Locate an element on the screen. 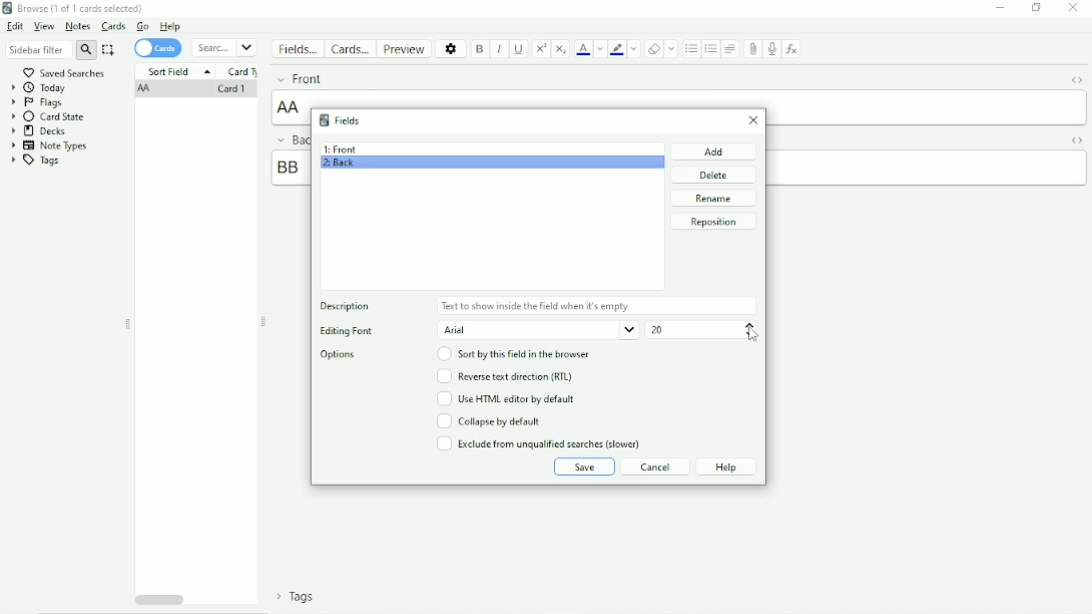  Alignment is located at coordinates (731, 48).